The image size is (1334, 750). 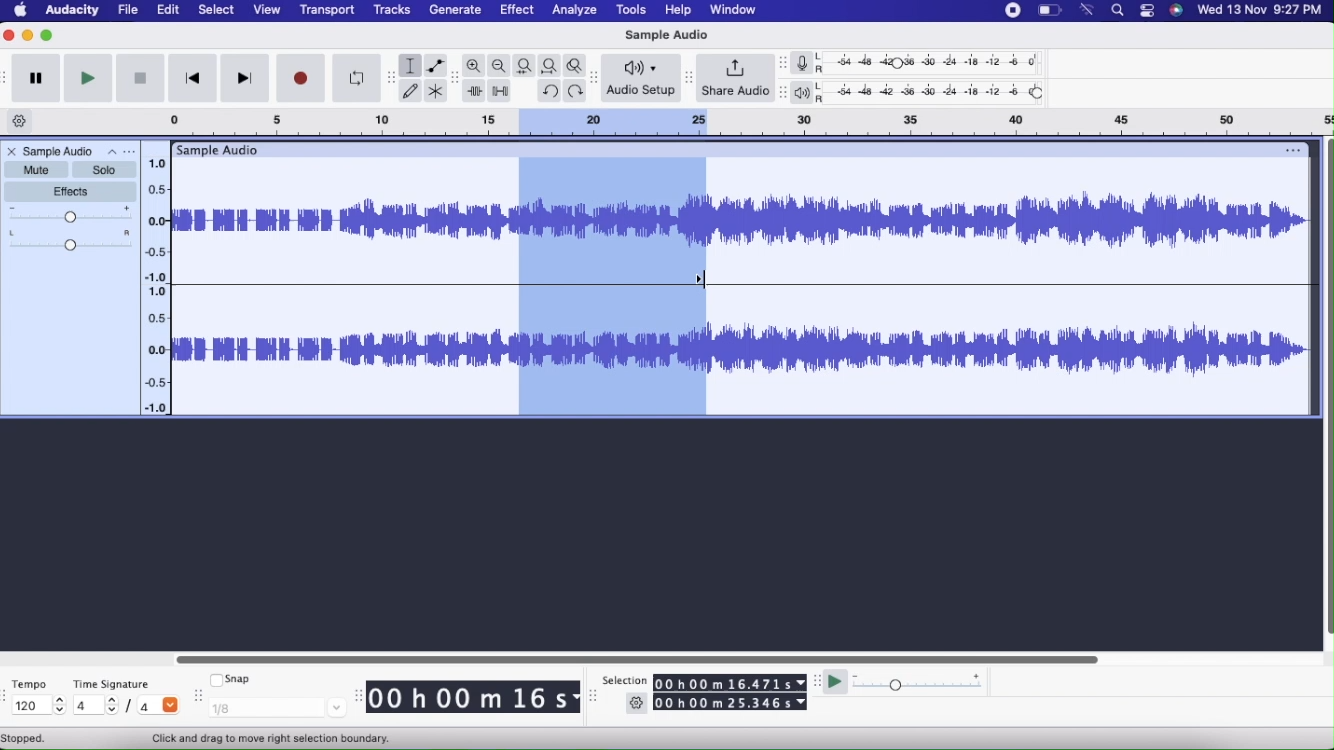 What do you see at coordinates (676, 10) in the screenshot?
I see `Help` at bounding box center [676, 10].